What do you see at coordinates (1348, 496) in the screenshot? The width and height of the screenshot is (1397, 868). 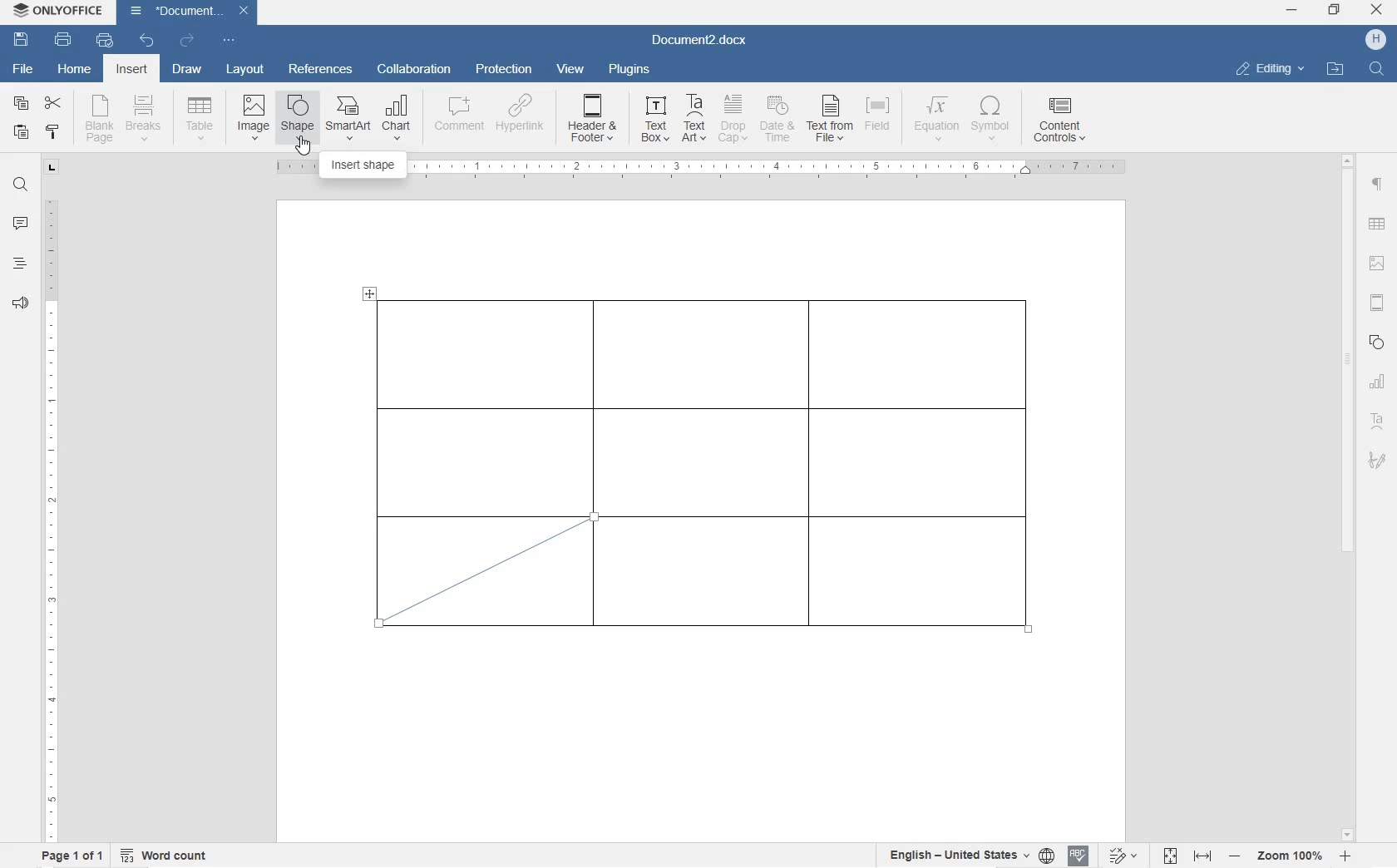 I see `scrollbar` at bounding box center [1348, 496].